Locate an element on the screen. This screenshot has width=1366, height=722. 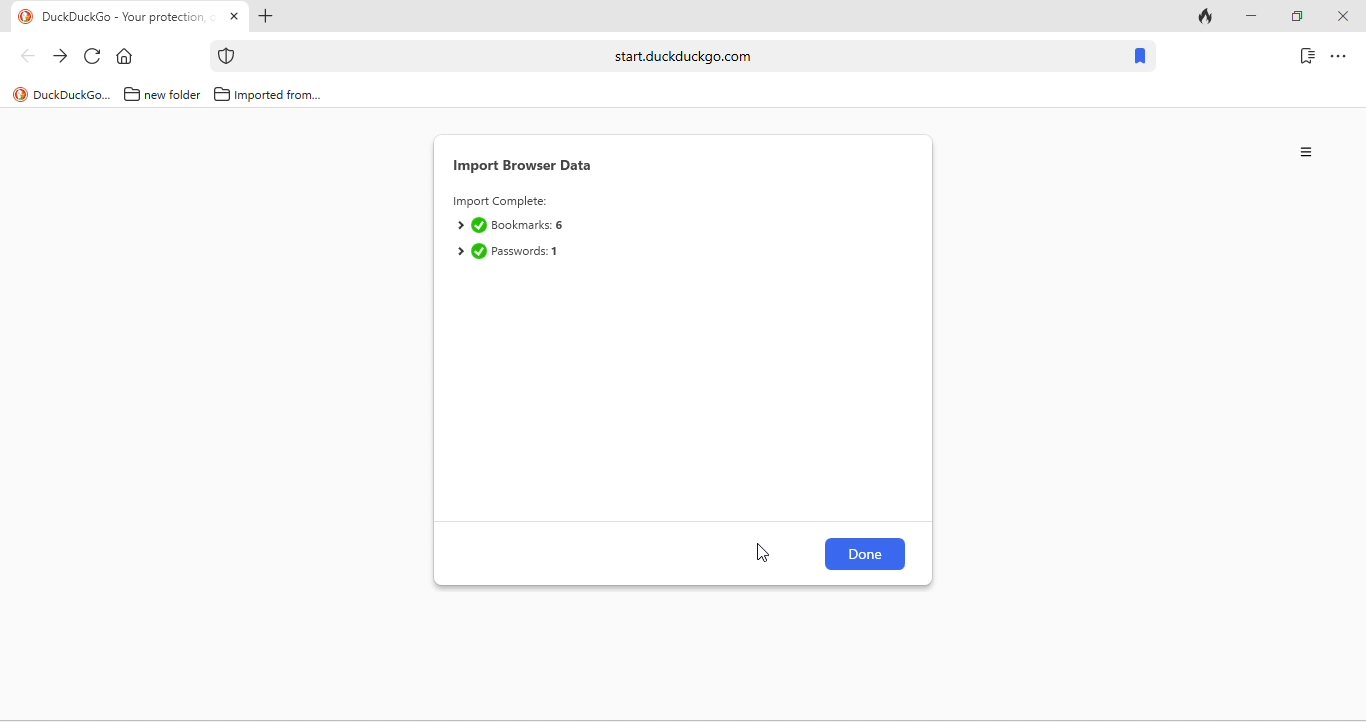
close tab is located at coordinates (234, 17).